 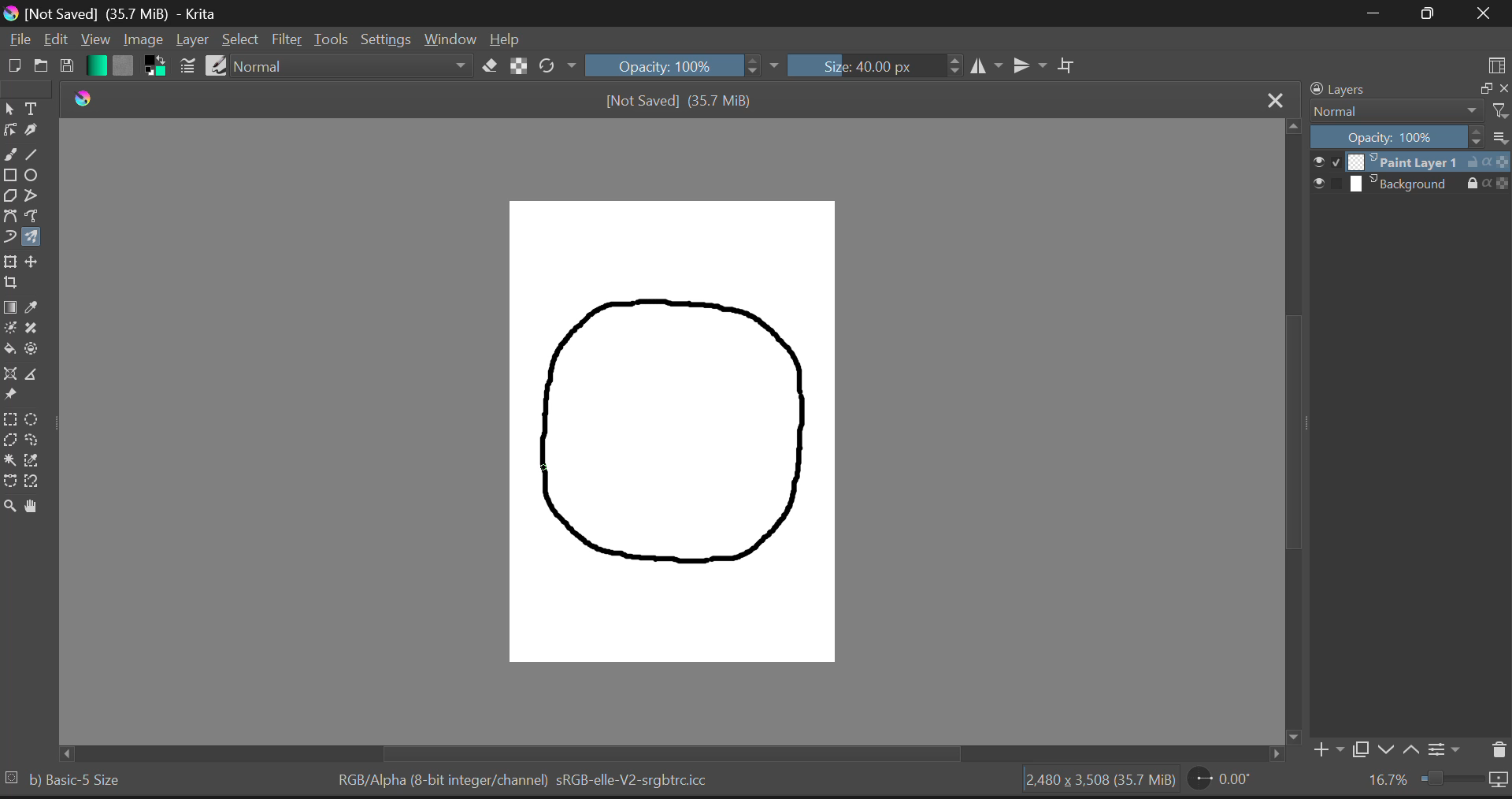 What do you see at coordinates (1031, 65) in the screenshot?
I see `Horizontal Mirror Flip` at bounding box center [1031, 65].